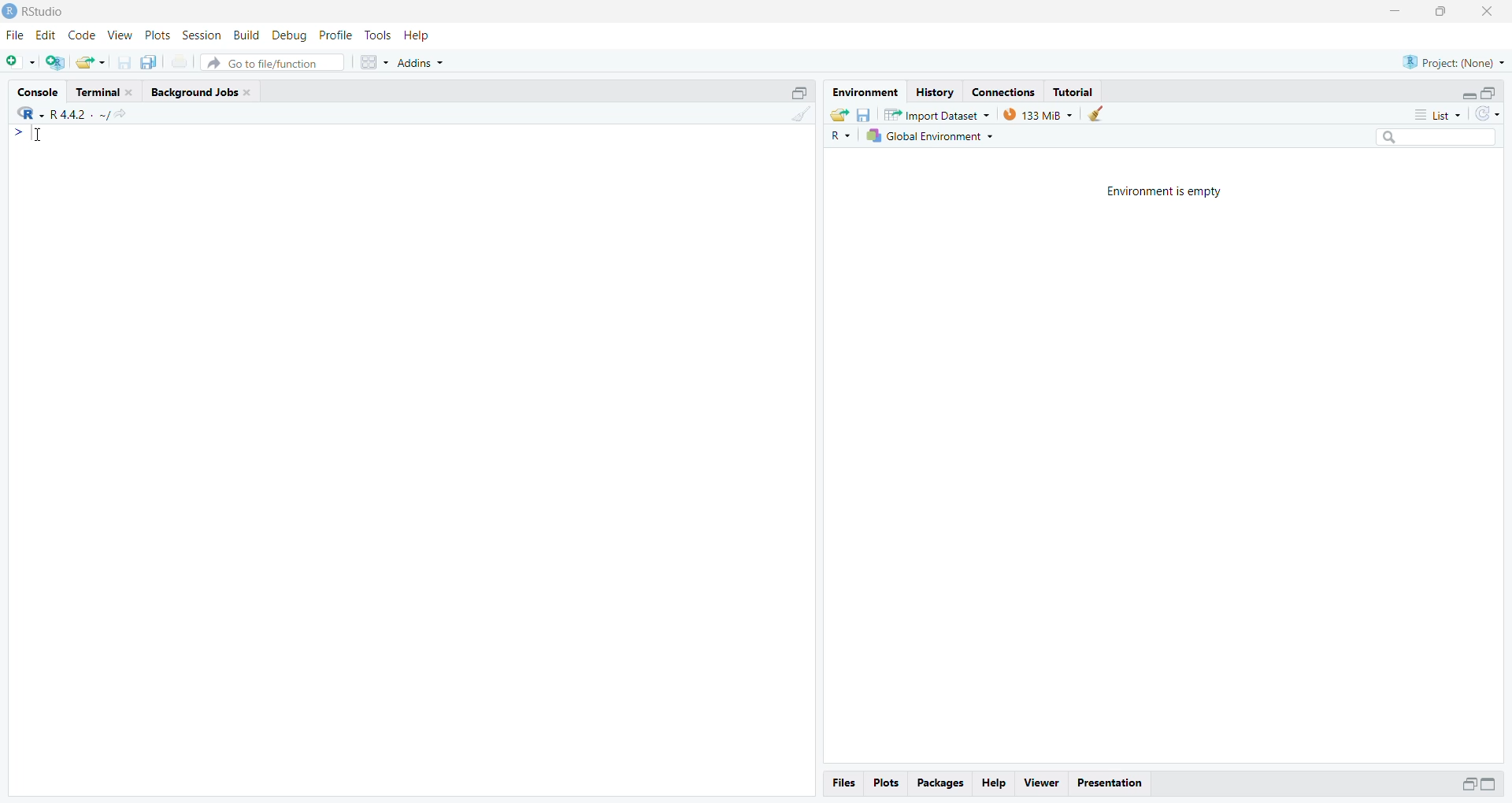 Image resolution: width=1512 pixels, height=803 pixels. I want to click on Profile, so click(337, 37).